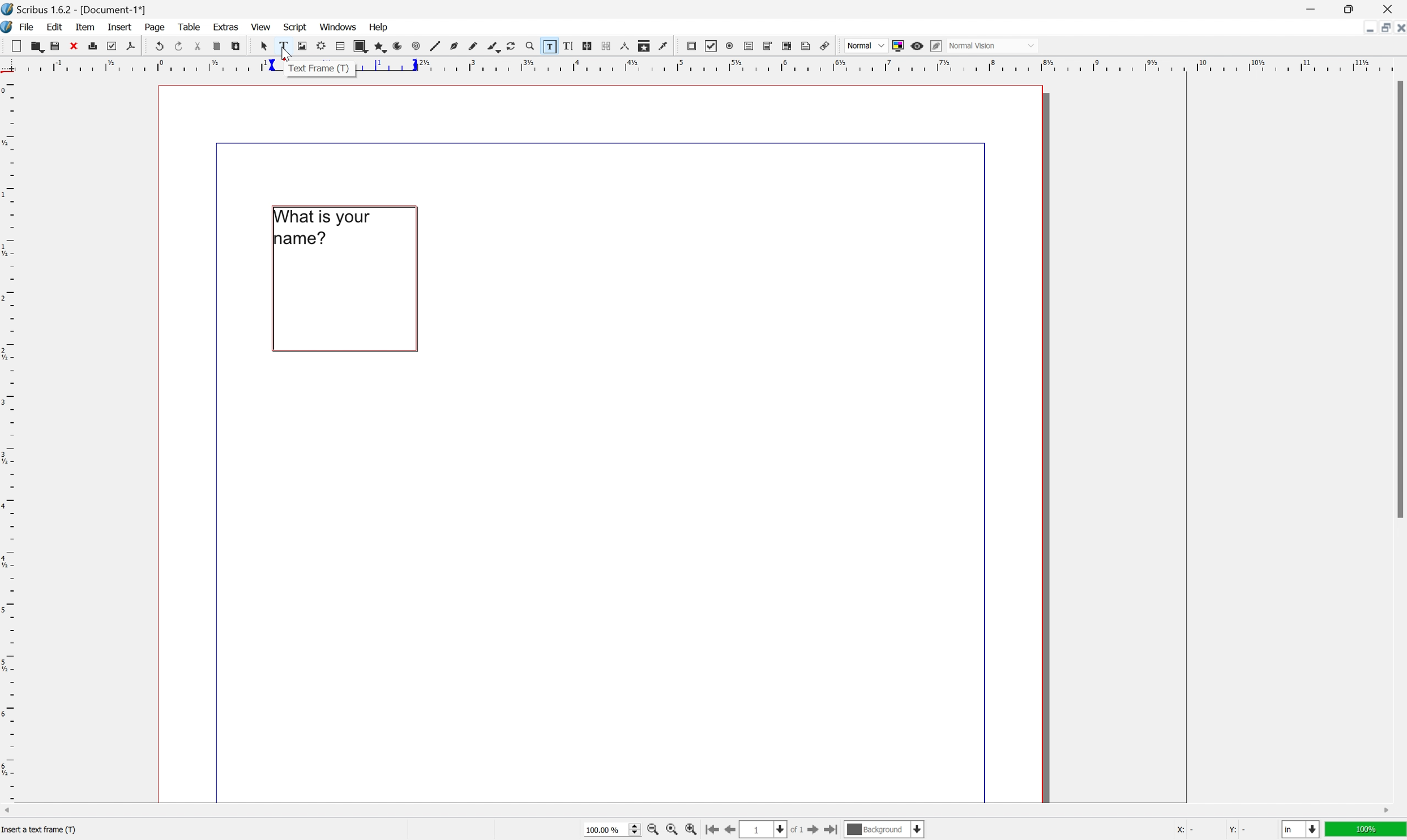 The width and height of the screenshot is (1407, 840). What do you see at coordinates (625, 46) in the screenshot?
I see `measurements` at bounding box center [625, 46].